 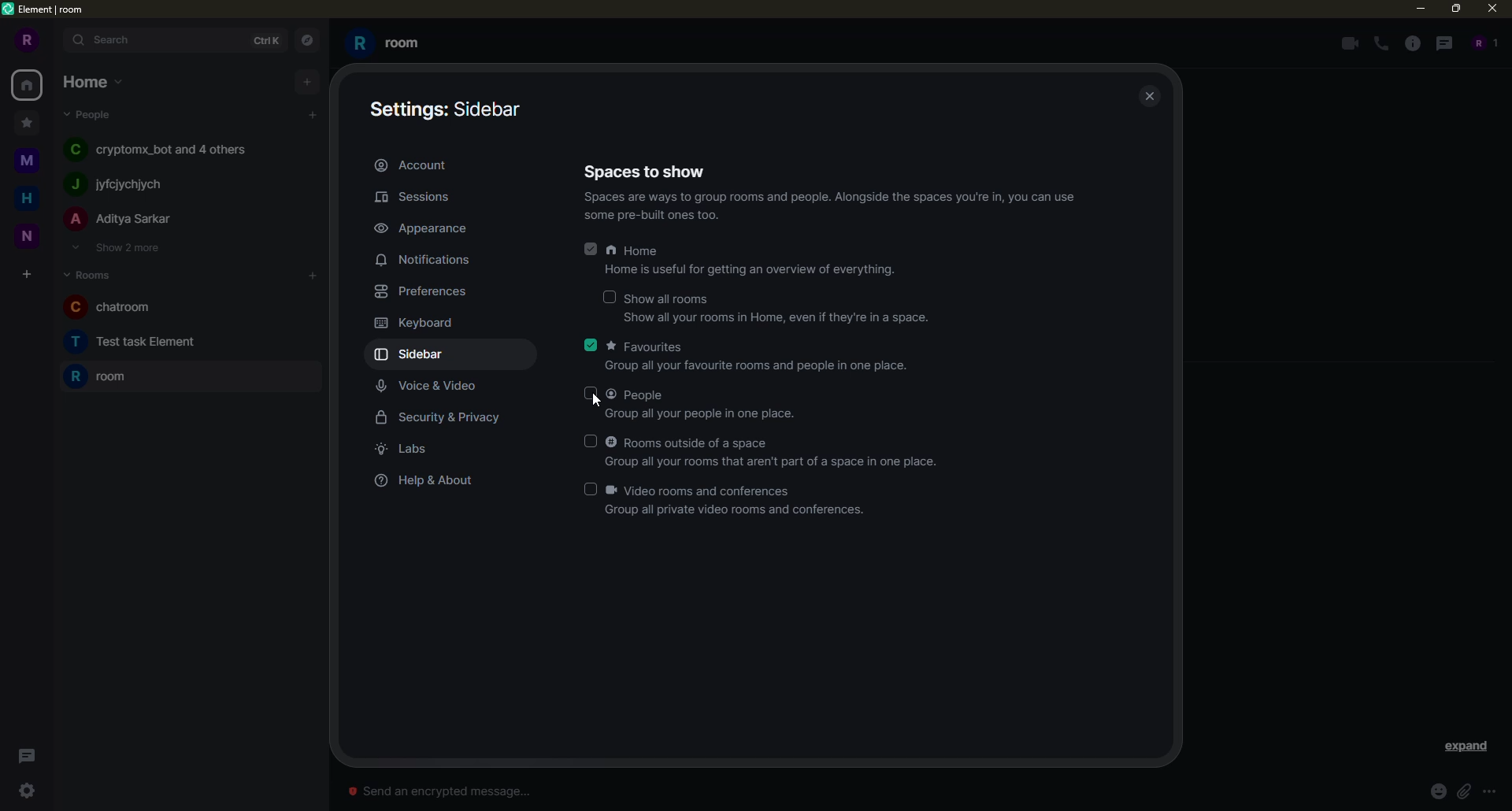 I want to click on ‘Group all your favourite rooms and people in one place., so click(x=746, y=369).